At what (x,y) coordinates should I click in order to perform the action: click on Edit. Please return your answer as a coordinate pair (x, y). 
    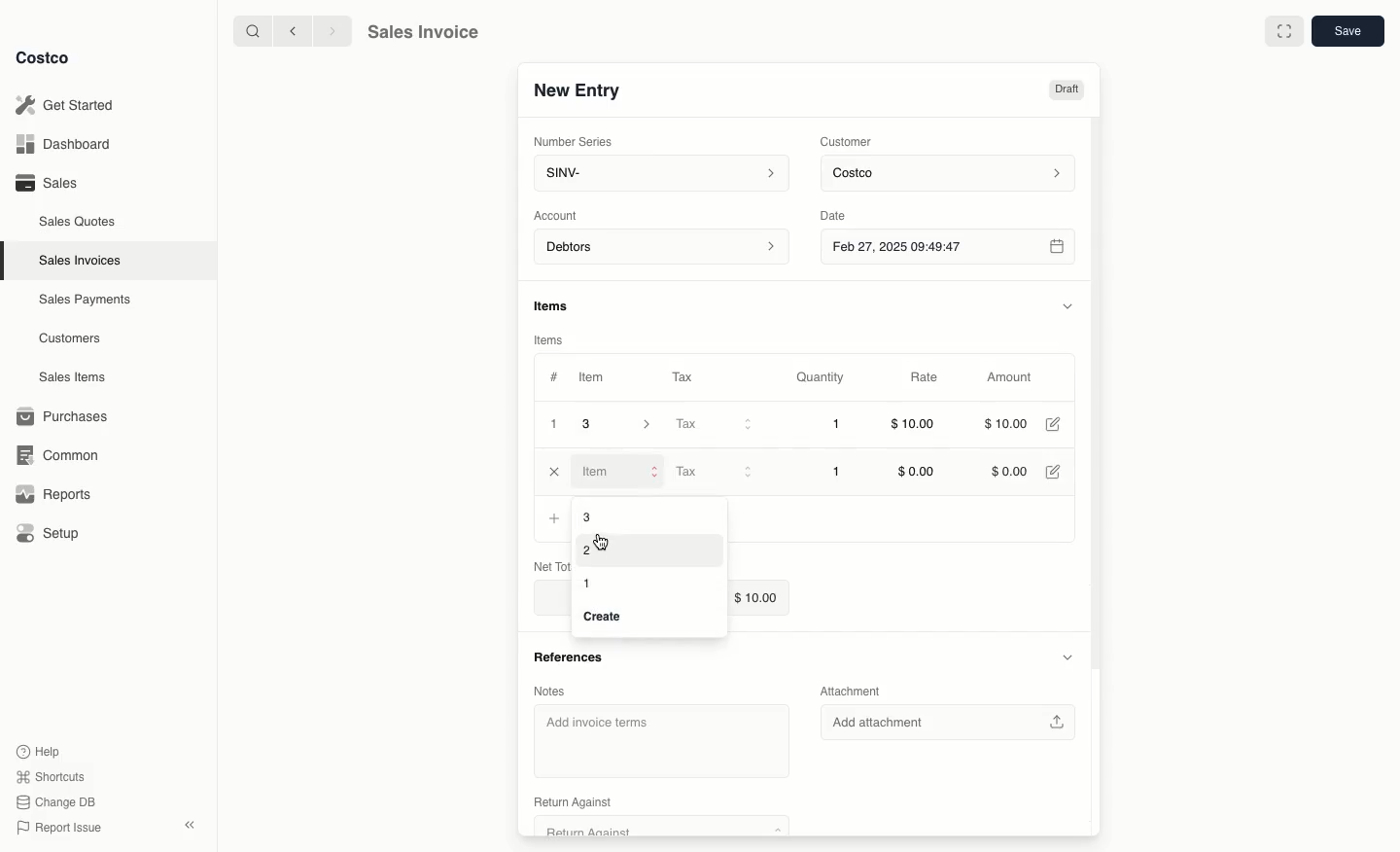
    Looking at the image, I should click on (1057, 472).